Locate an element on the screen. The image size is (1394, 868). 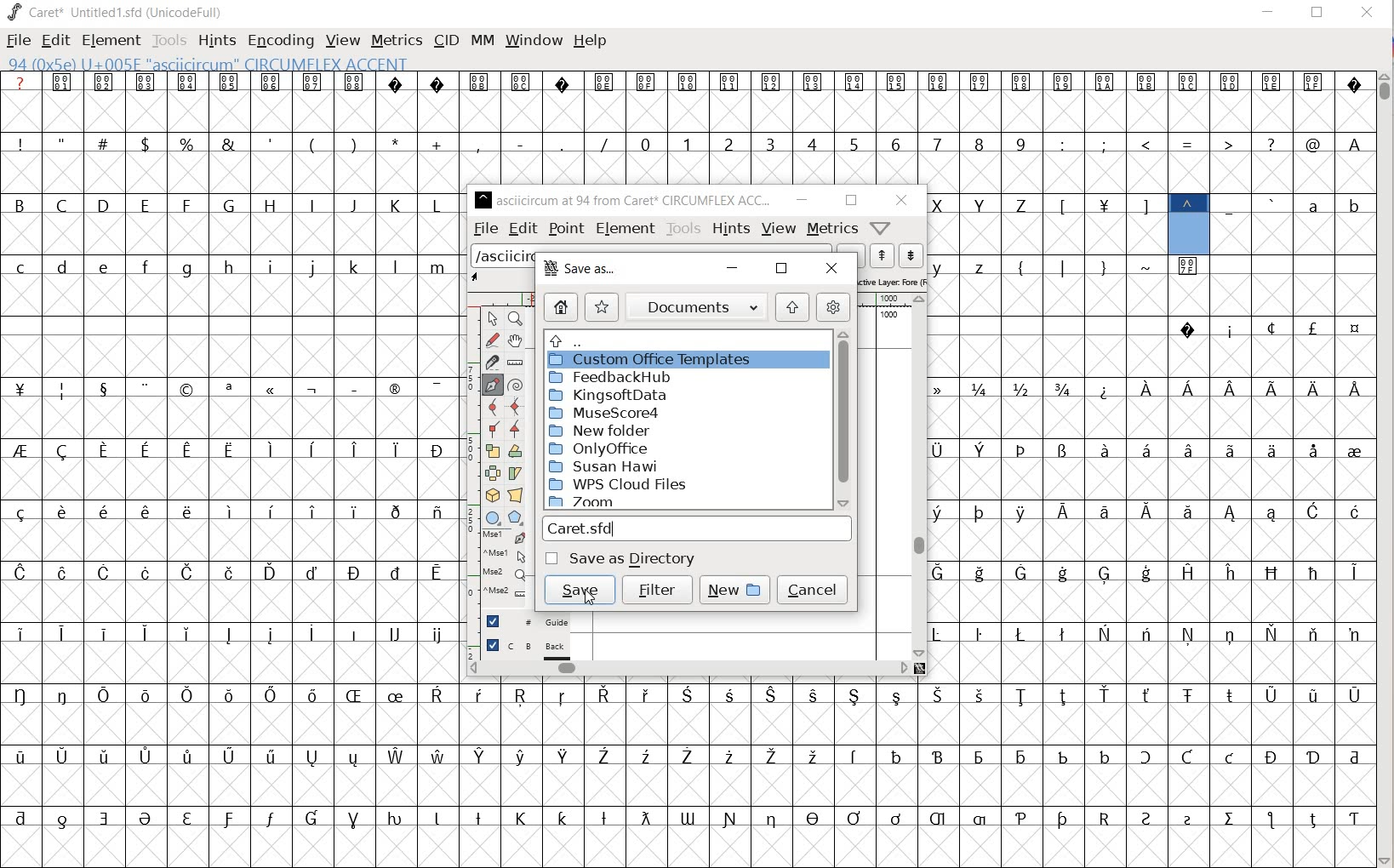
background is located at coordinates (528, 648).